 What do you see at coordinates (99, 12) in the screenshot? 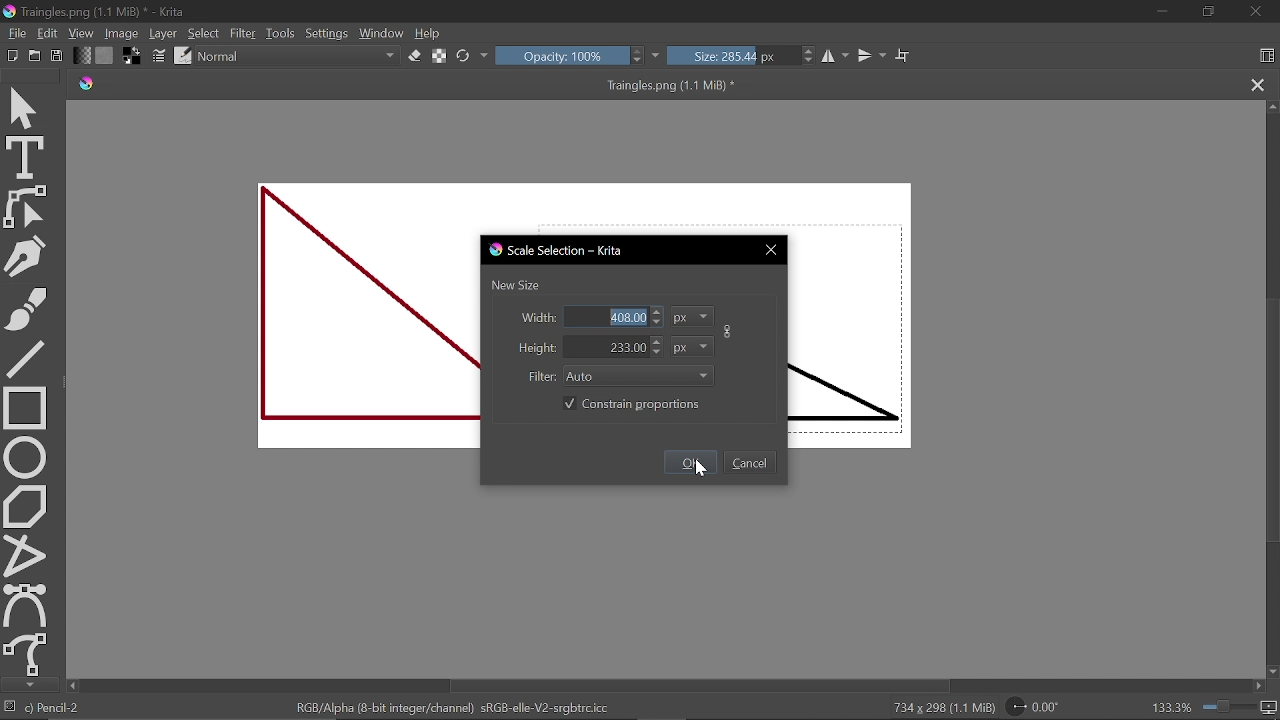
I see `Traingles.png (1.1 MiB) * - Krita` at bounding box center [99, 12].